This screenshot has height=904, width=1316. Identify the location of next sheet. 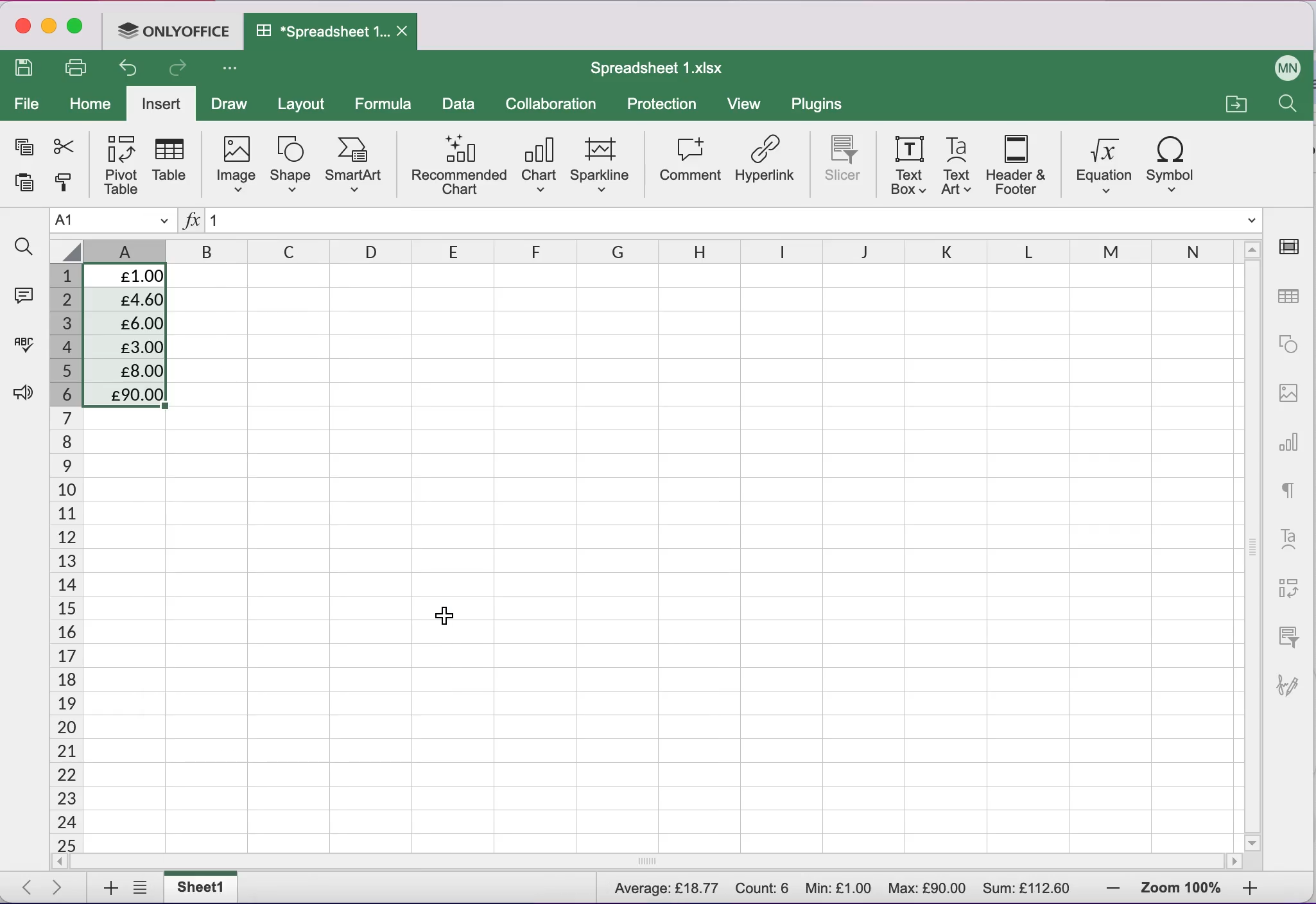
(56, 889).